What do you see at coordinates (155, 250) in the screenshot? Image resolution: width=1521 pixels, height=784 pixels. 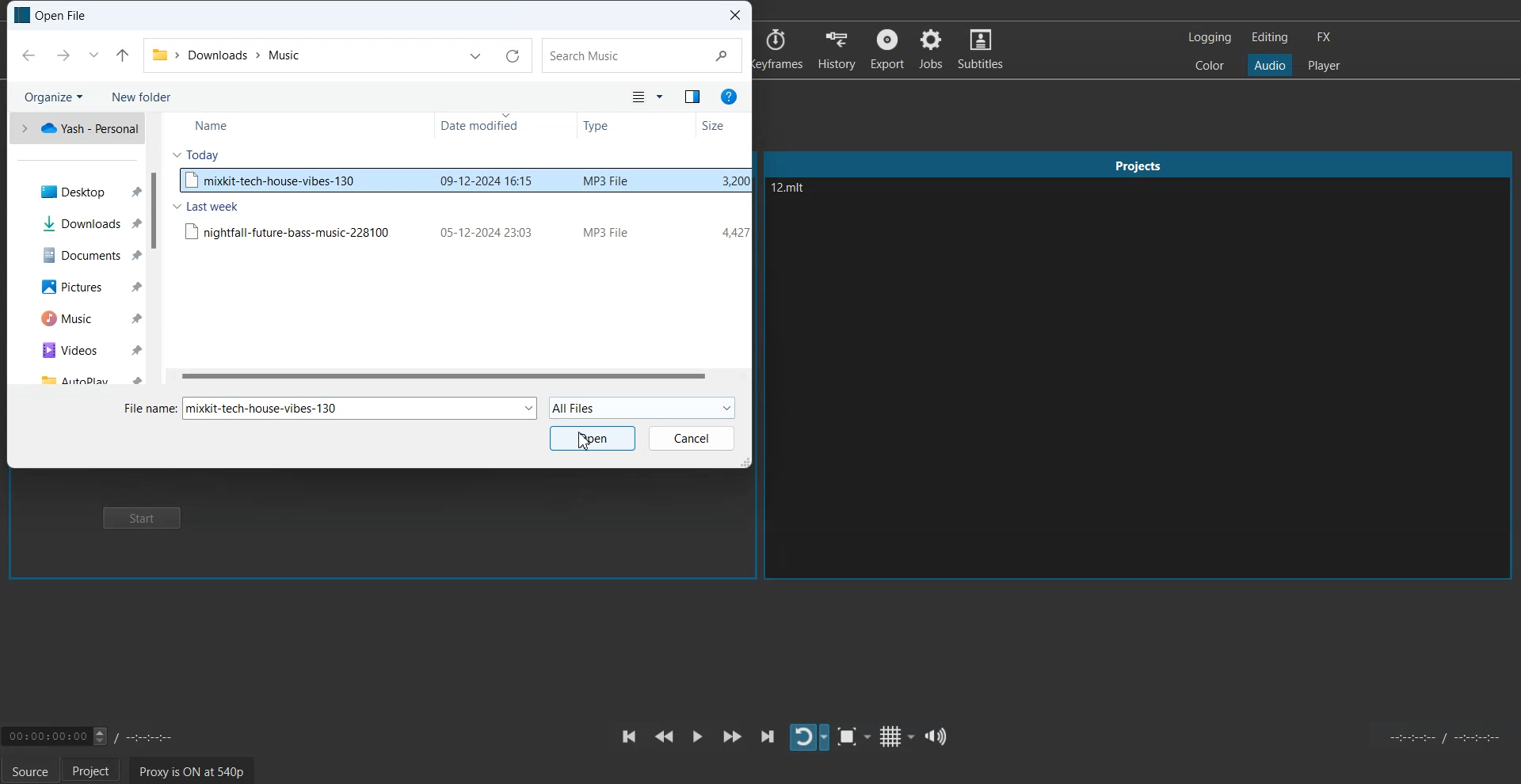 I see `Vertical Scroll bar` at bounding box center [155, 250].